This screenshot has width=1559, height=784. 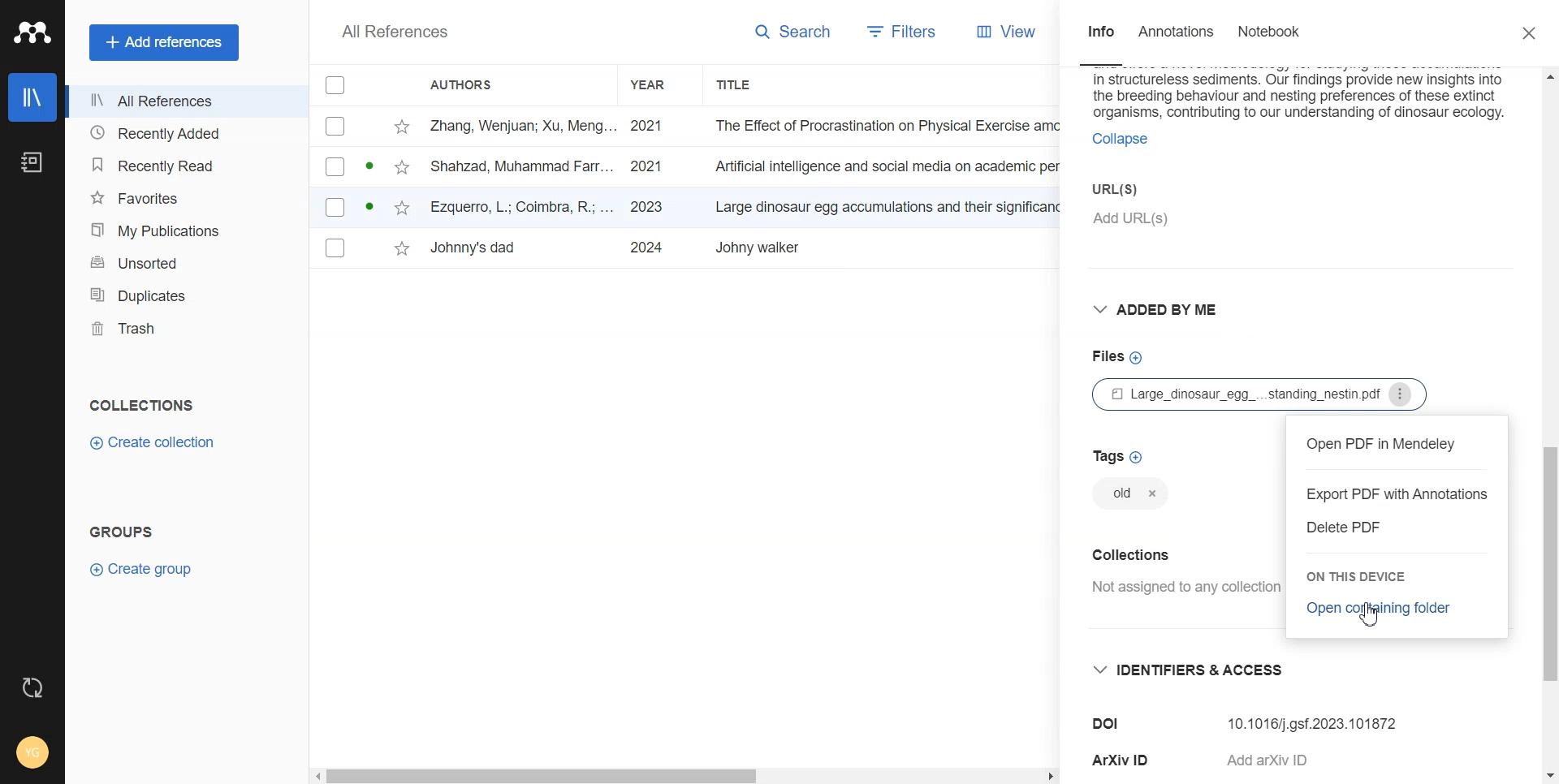 What do you see at coordinates (402, 206) in the screenshot?
I see `Toggle favorites` at bounding box center [402, 206].